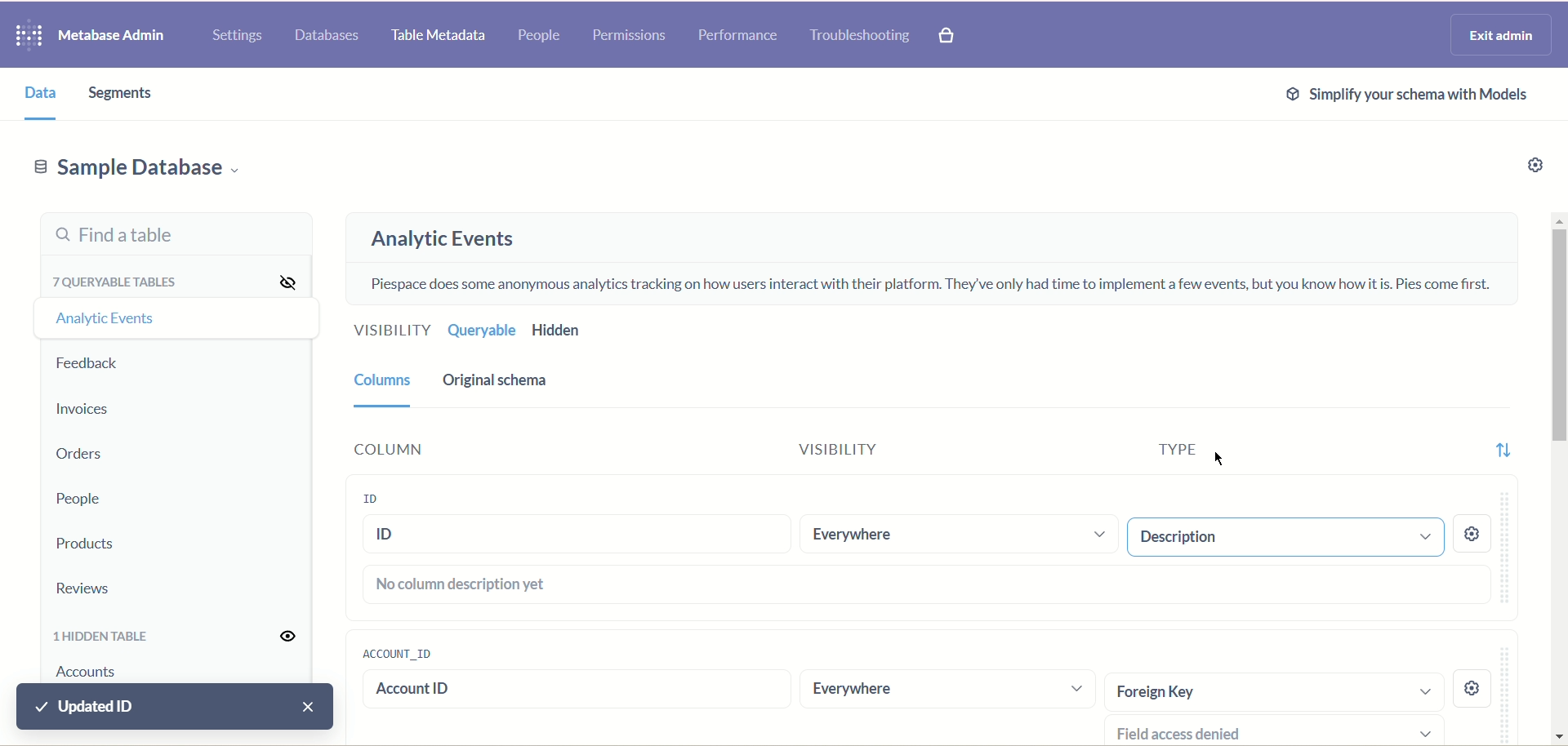  Describe the element at coordinates (820, 450) in the screenshot. I see `visibility` at that location.